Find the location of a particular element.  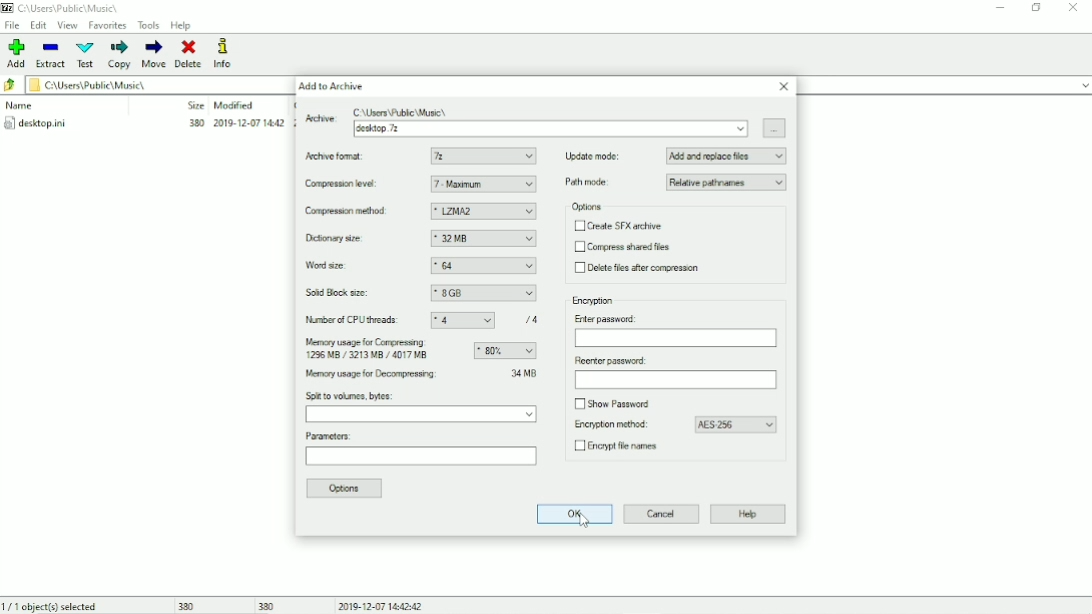

Close is located at coordinates (784, 86).